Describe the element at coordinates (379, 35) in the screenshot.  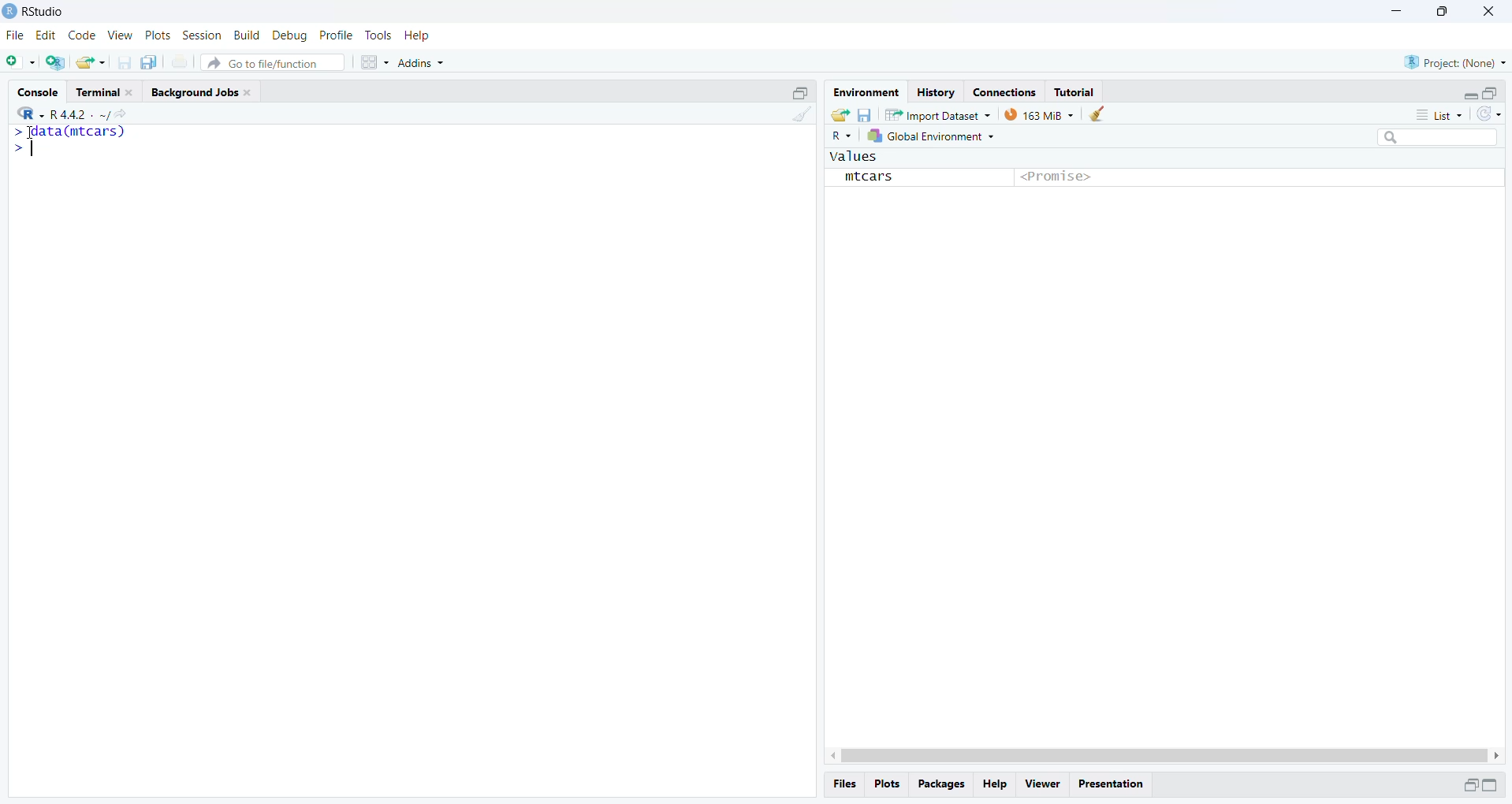
I see `tools` at that location.